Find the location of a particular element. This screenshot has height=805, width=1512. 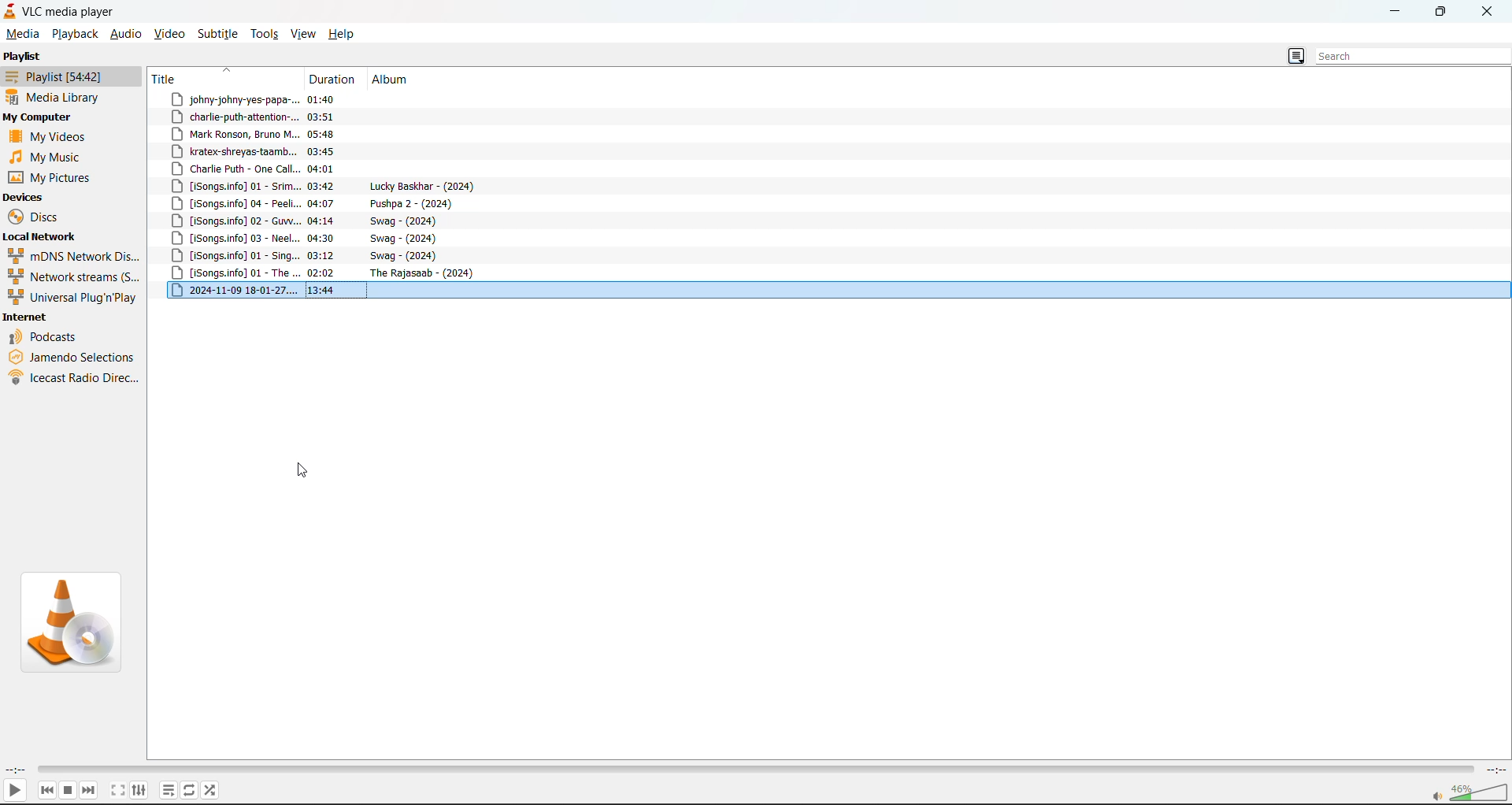

next is located at coordinates (90, 789).